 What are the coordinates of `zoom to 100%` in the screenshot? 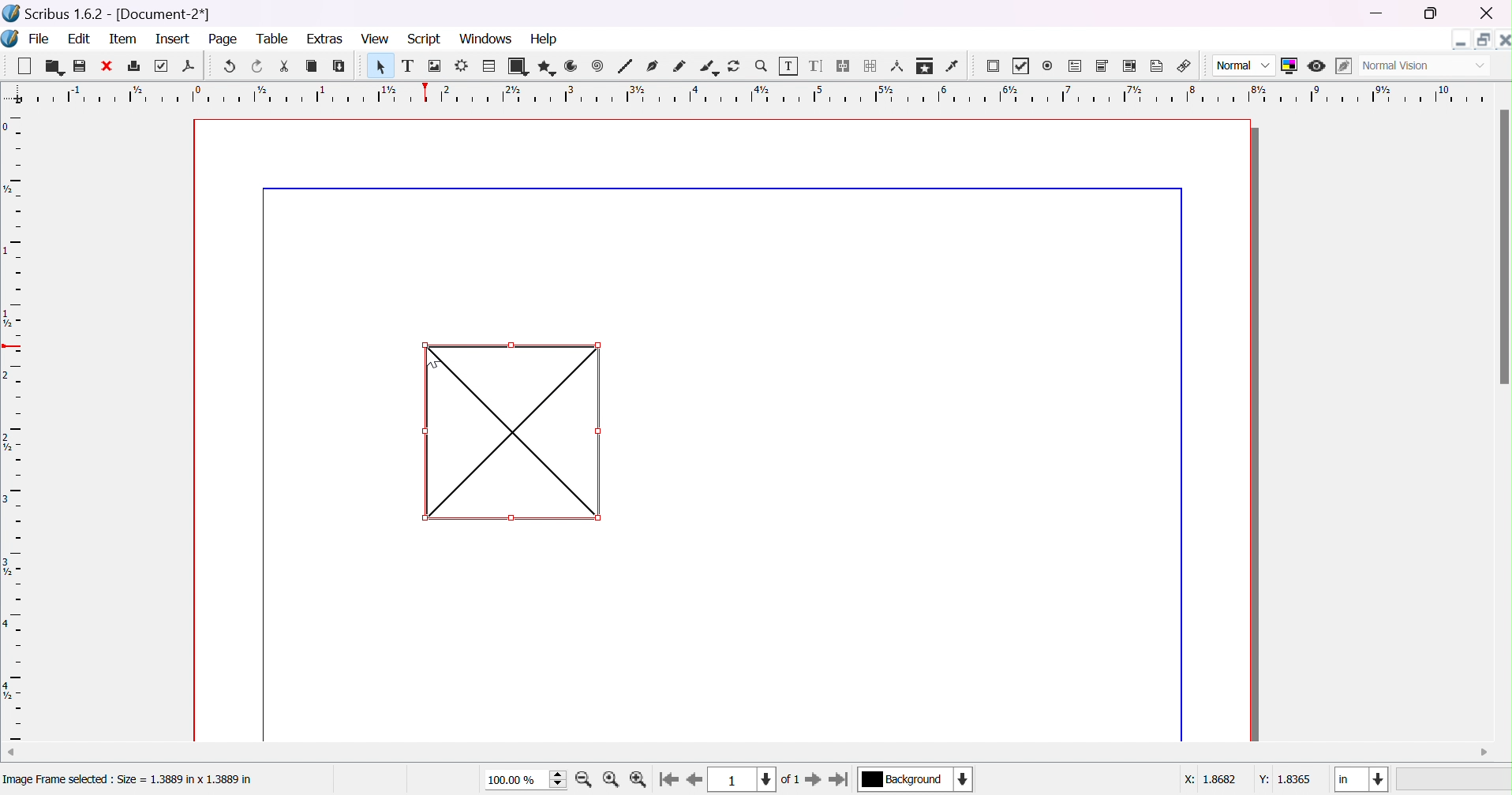 It's located at (612, 780).